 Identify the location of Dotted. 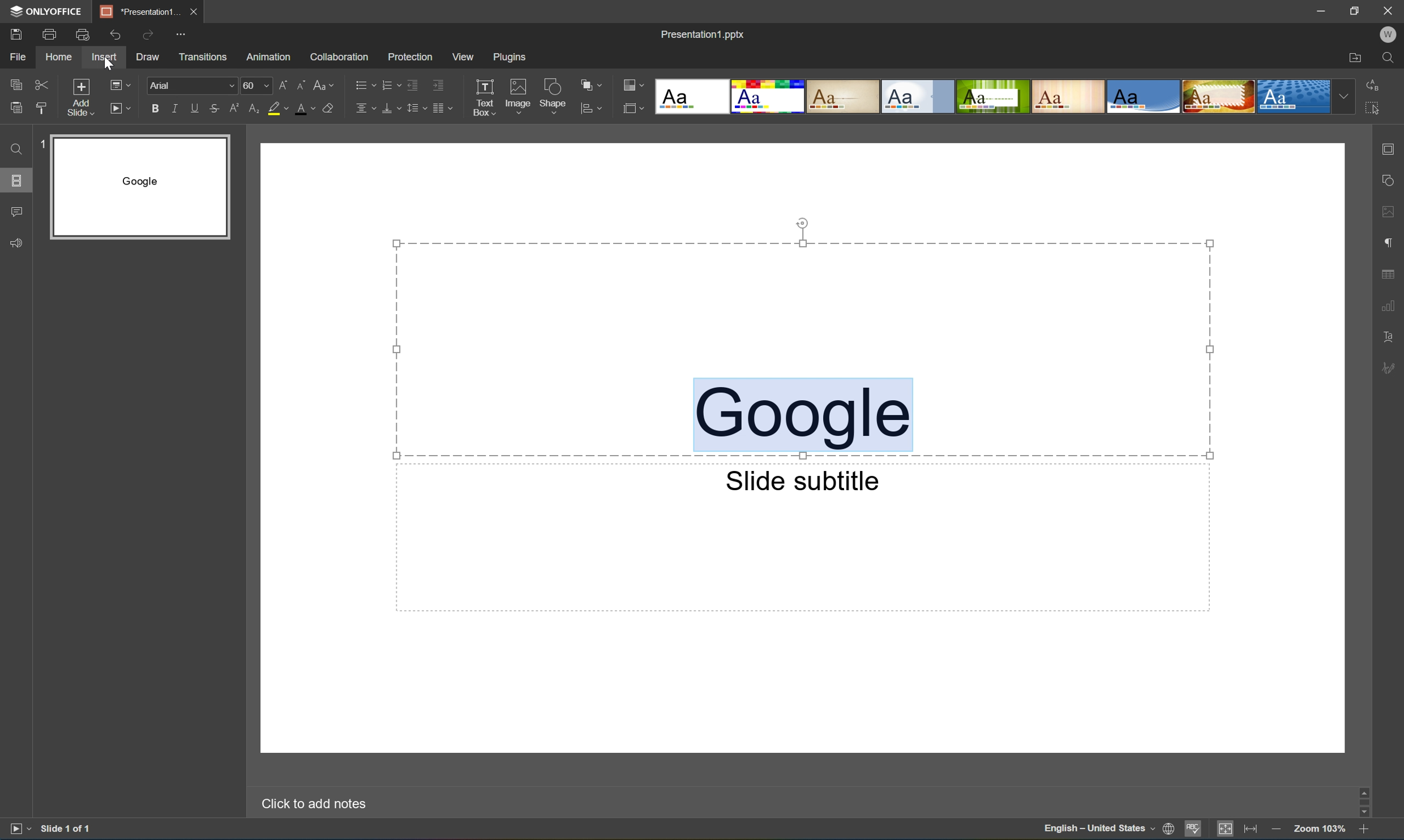
(1294, 97).